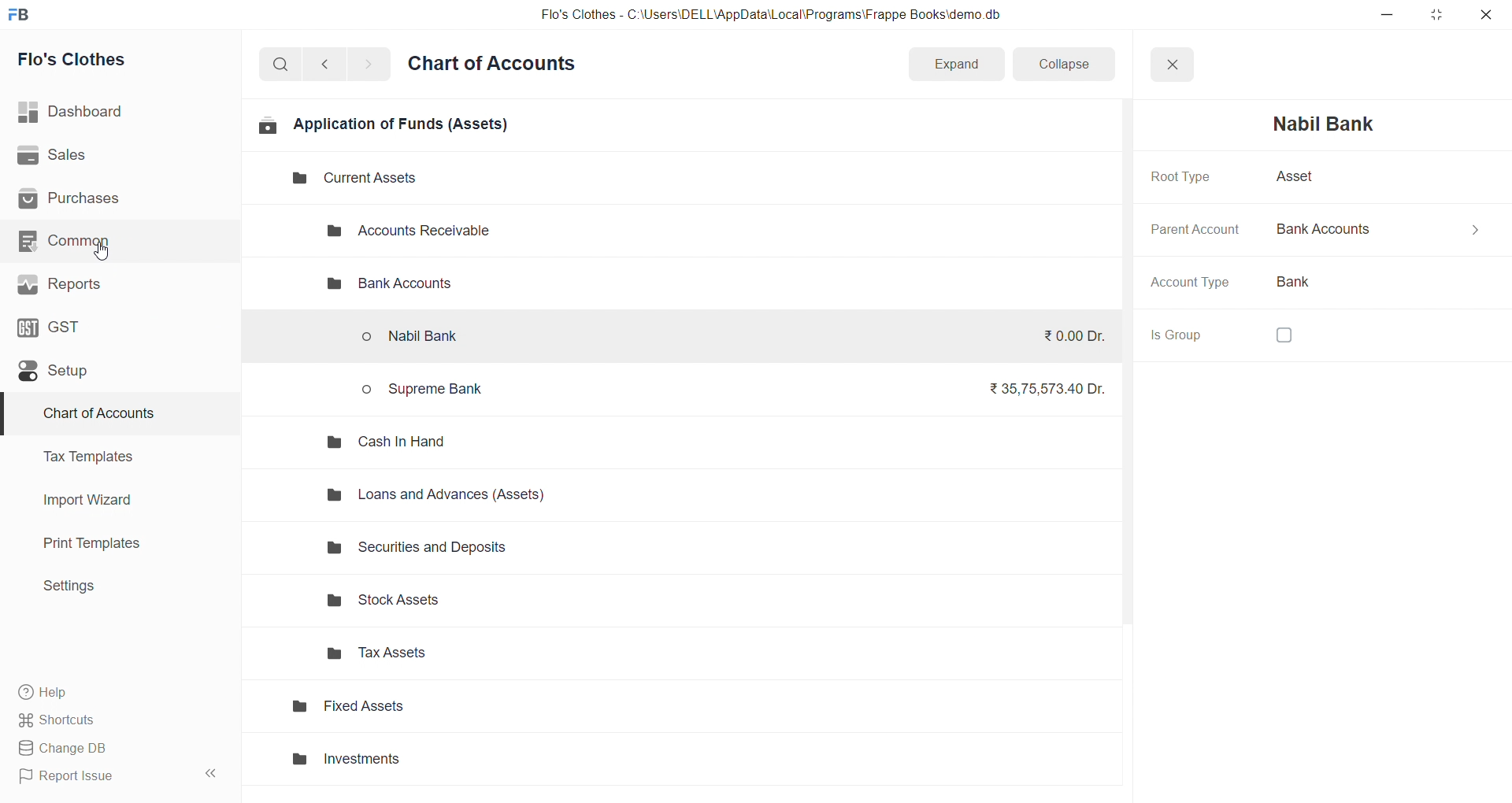 The width and height of the screenshot is (1512, 803). What do you see at coordinates (1131, 457) in the screenshot?
I see `vertical scroll bar` at bounding box center [1131, 457].